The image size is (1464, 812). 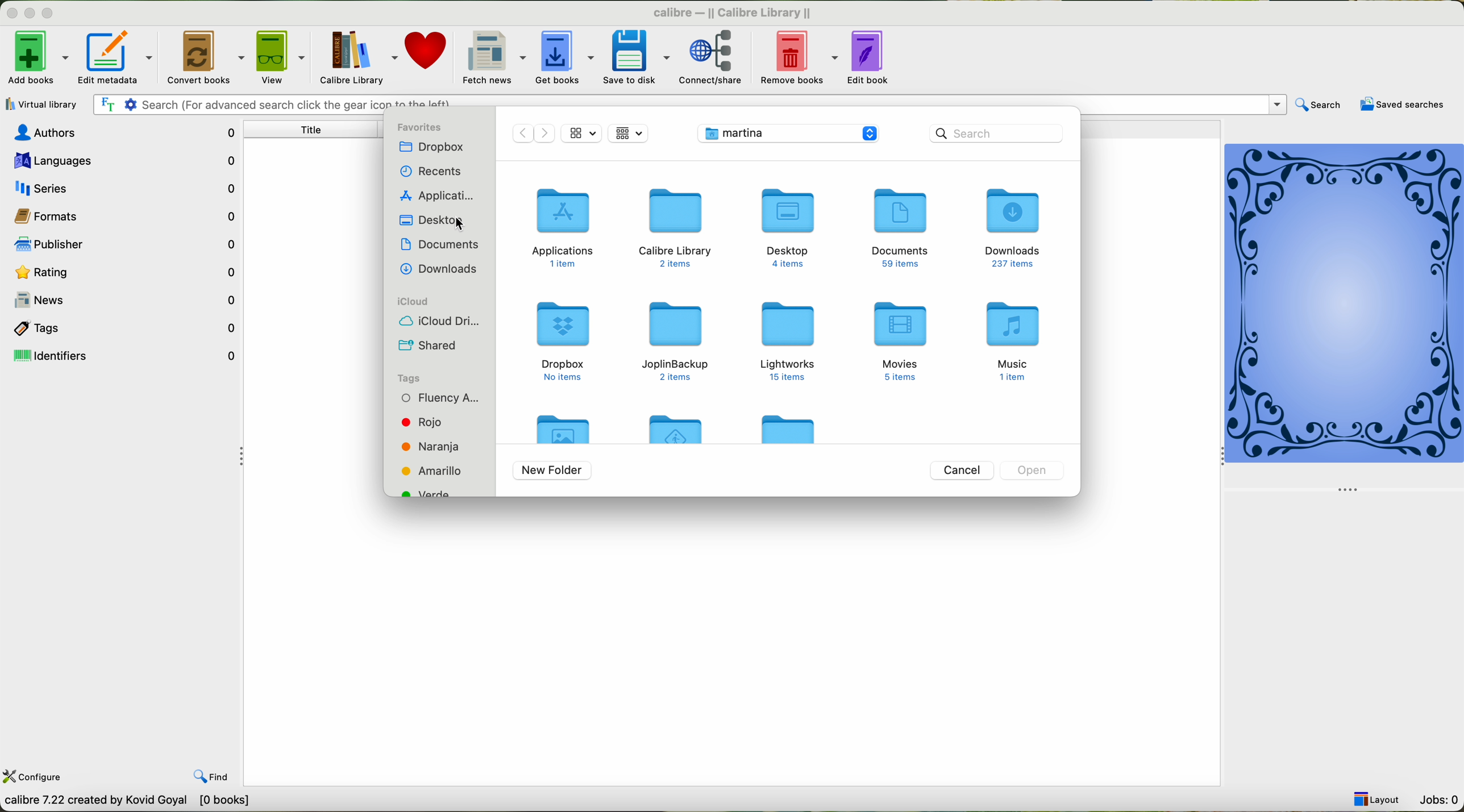 What do you see at coordinates (41, 104) in the screenshot?
I see `virtual library` at bounding box center [41, 104].